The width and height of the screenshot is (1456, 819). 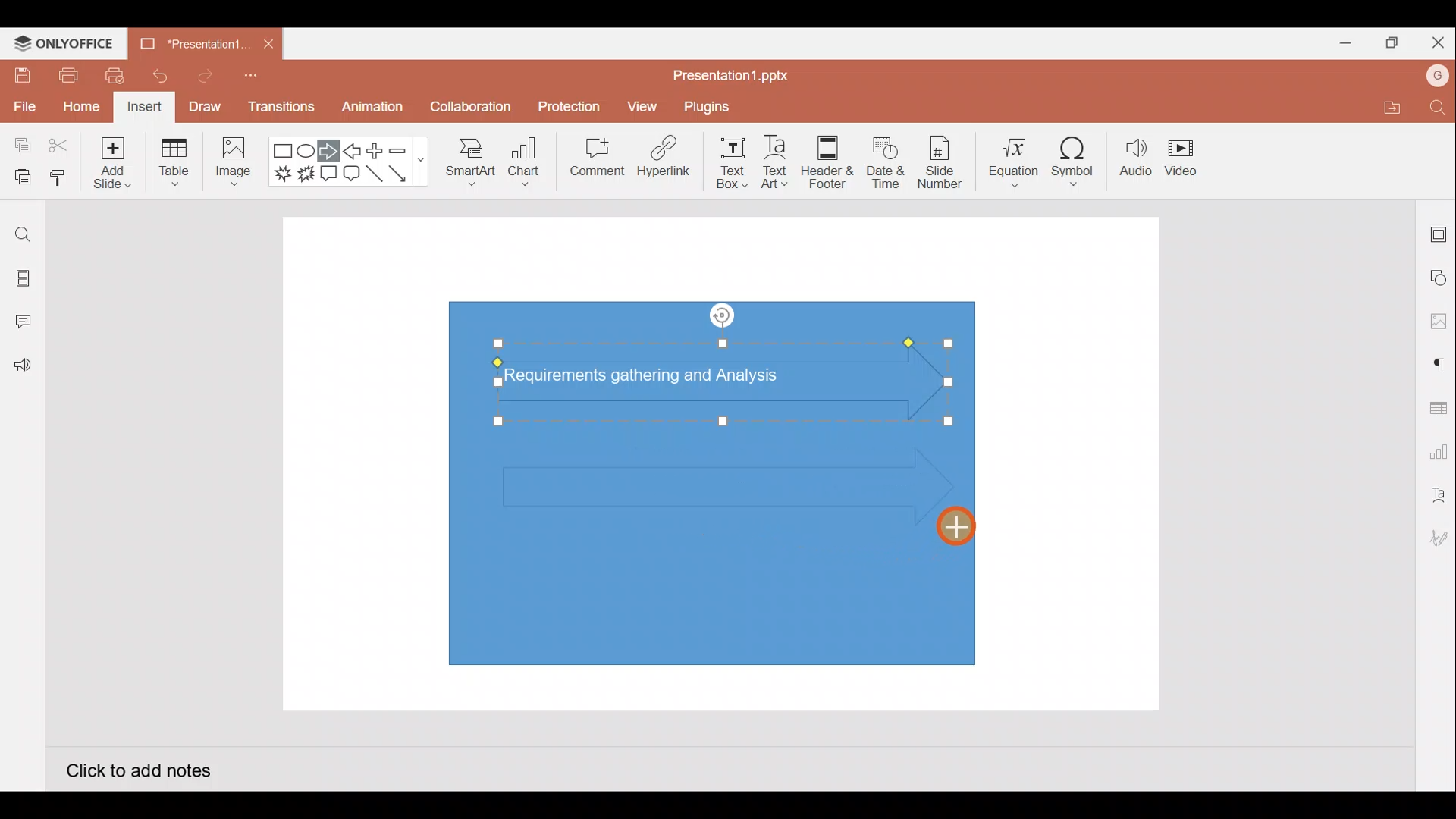 What do you see at coordinates (1437, 495) in the screenshot?
I see `Text Art settings` at bounding box center [1437, 495].